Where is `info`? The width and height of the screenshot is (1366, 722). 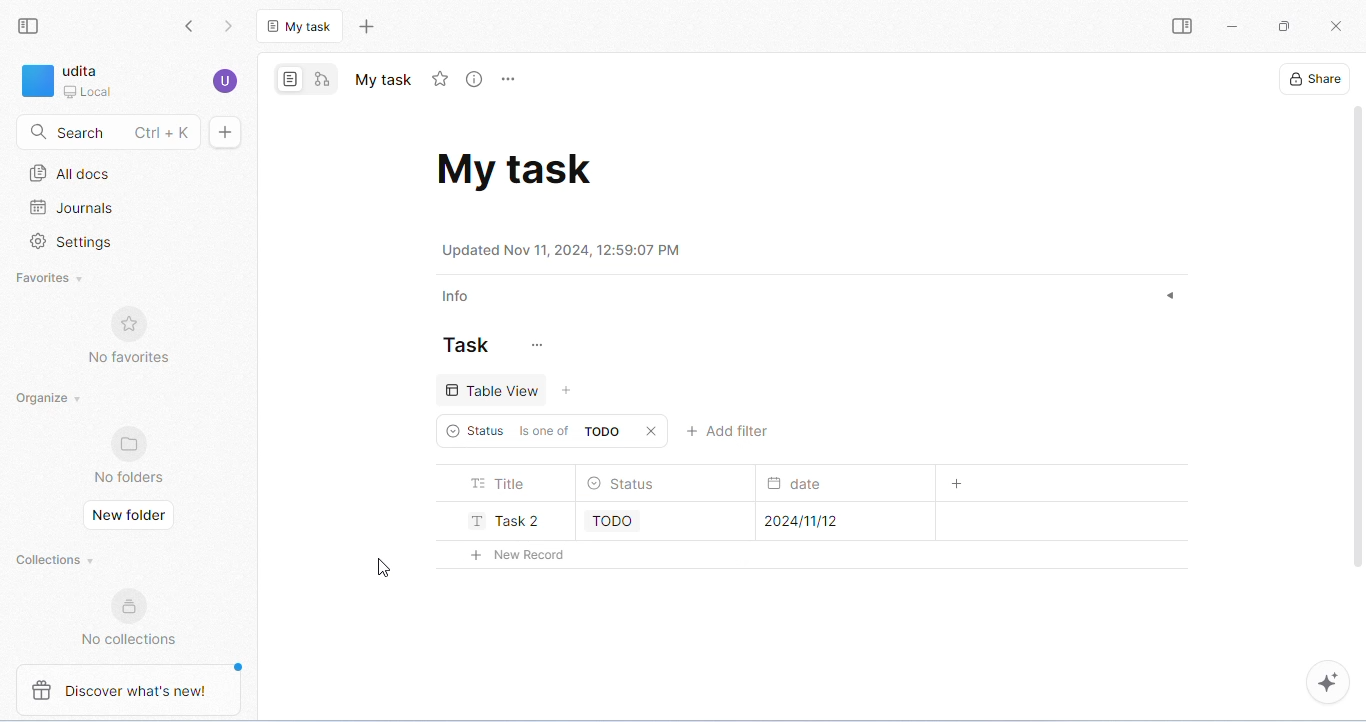
info is located at coordinates (457, 298).